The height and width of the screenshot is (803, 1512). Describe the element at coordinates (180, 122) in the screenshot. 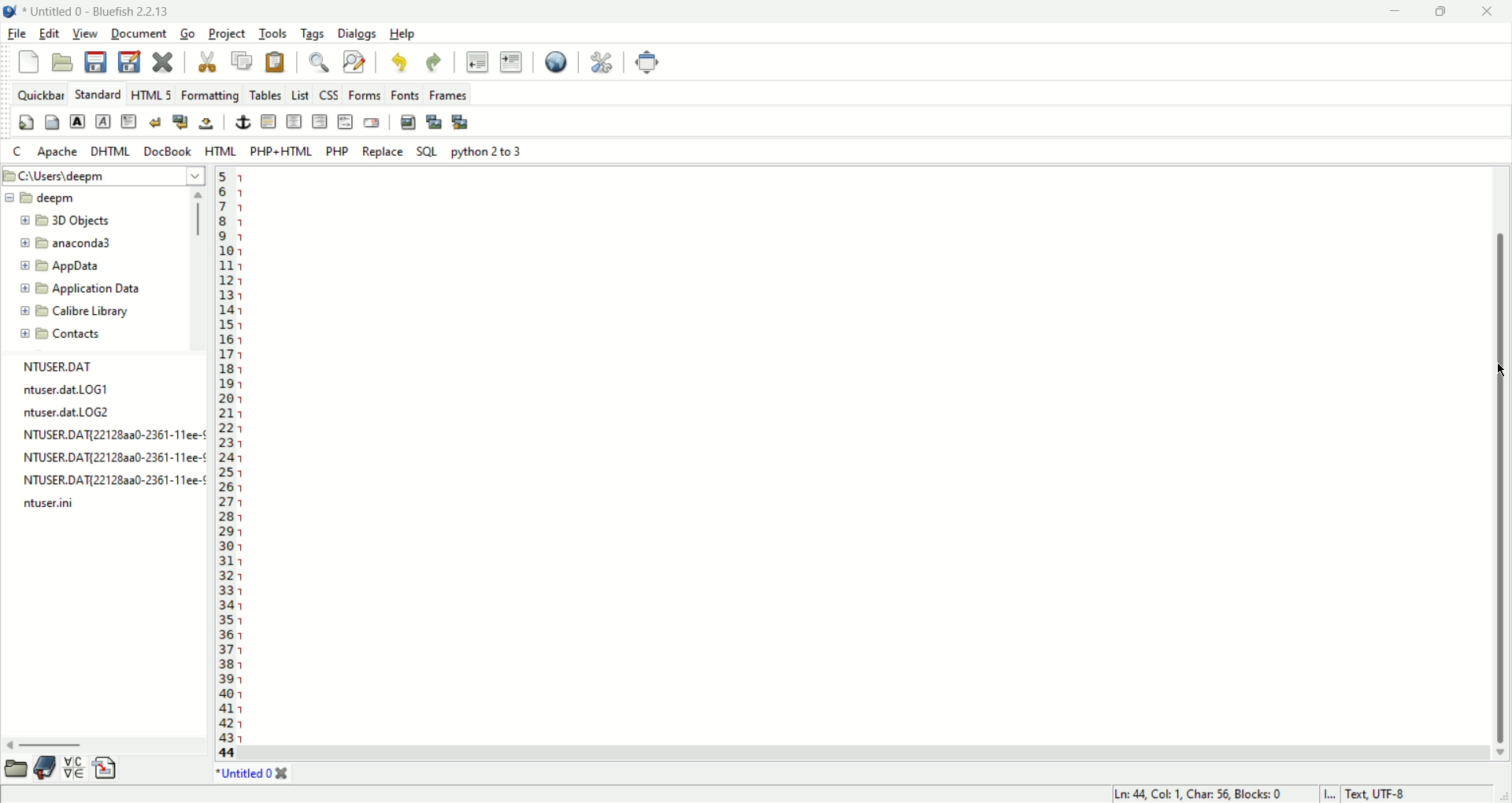

I see `break and clear` at that location.